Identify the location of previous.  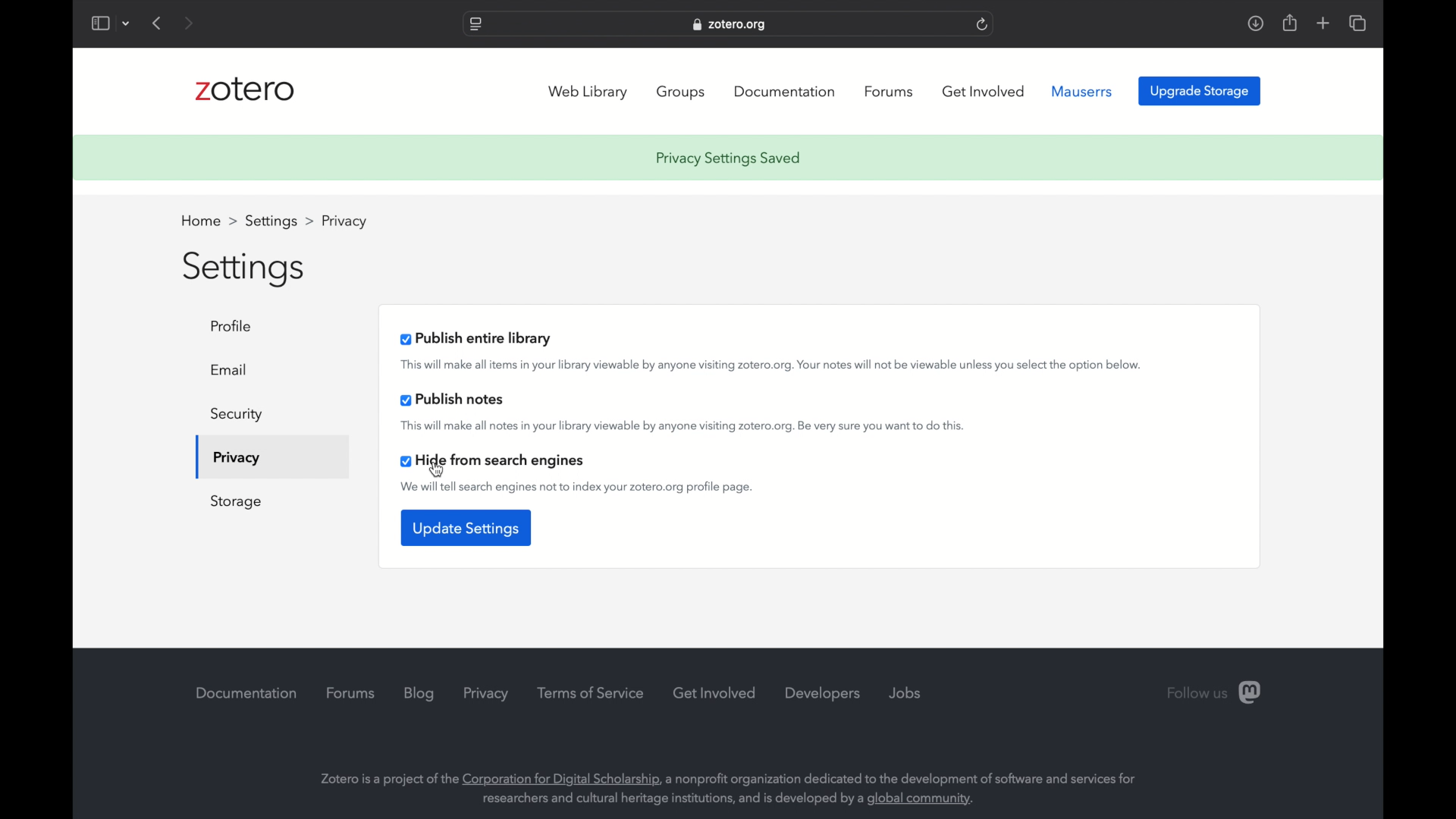
(158, 23).